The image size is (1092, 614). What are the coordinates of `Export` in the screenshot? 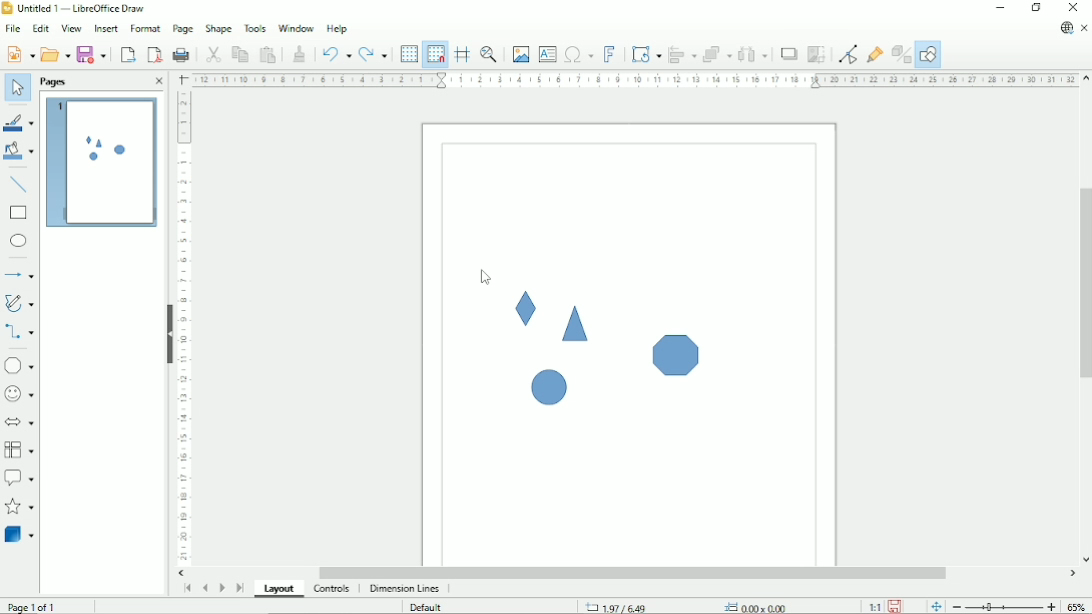 It's located at (128, 54).